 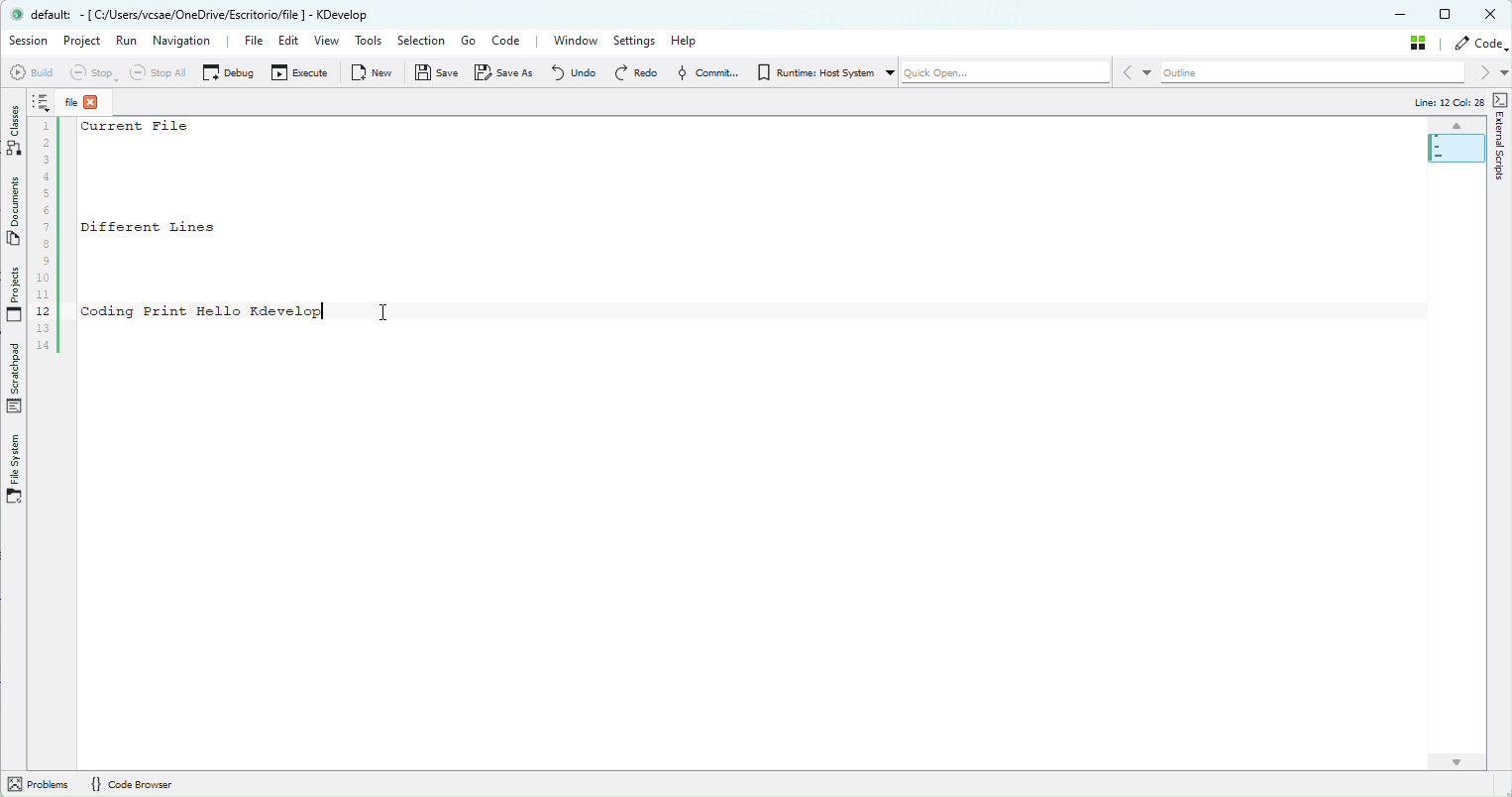 I want to click on Window, so click(x=578, y=45).